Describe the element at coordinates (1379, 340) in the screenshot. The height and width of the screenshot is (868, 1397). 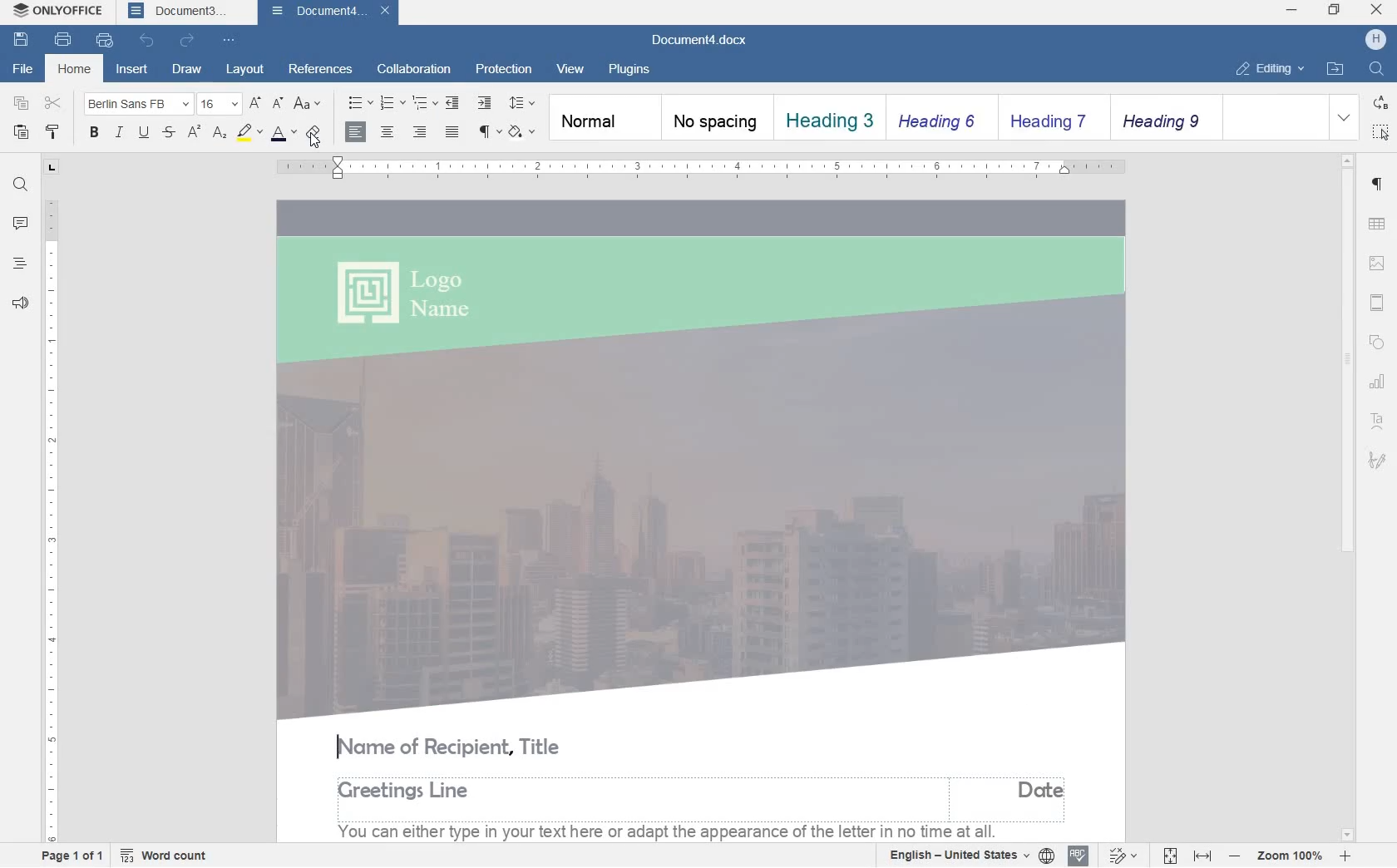
I see `shape settings` at that location.